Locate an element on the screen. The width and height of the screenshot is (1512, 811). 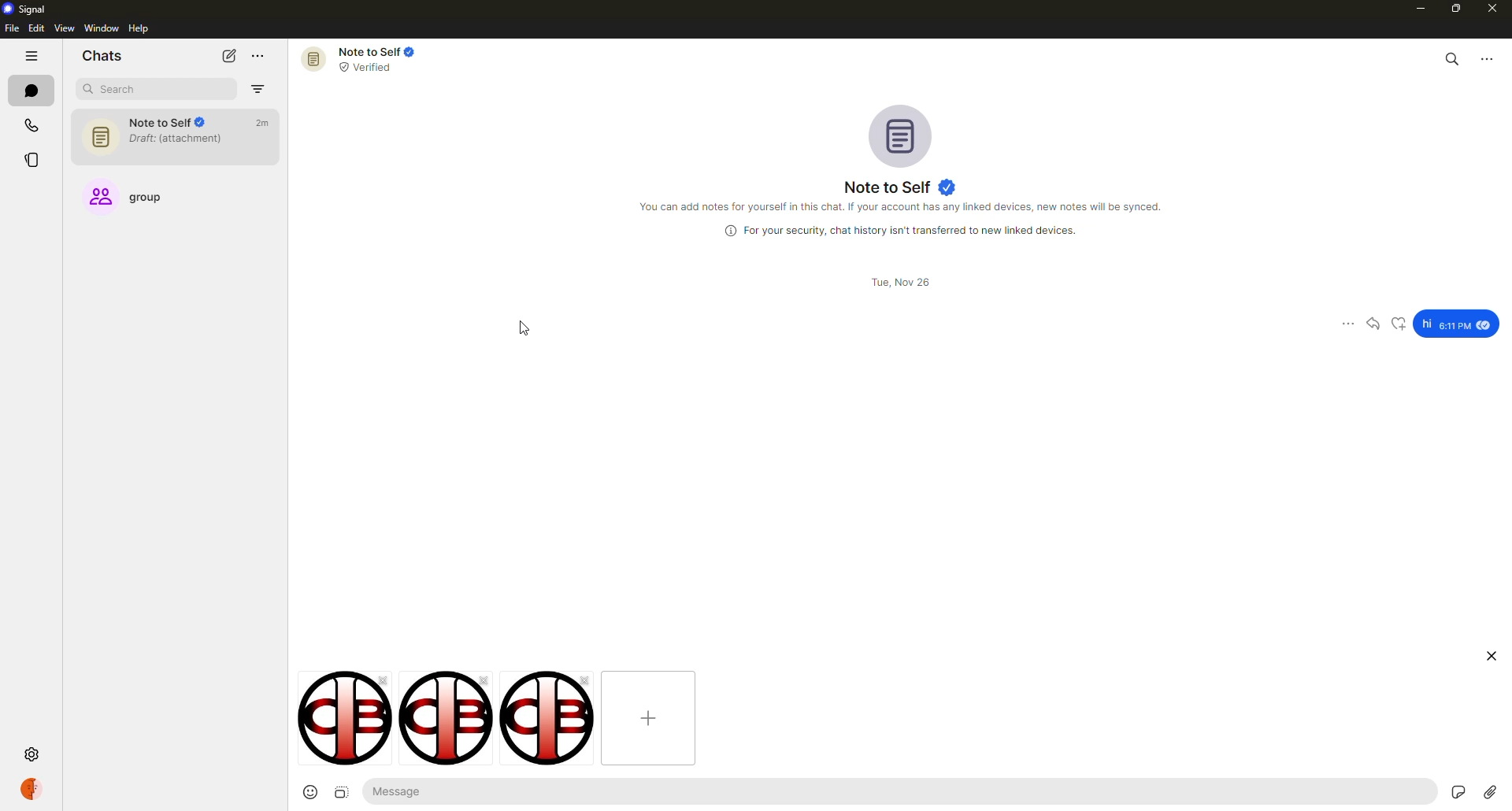
more is located at coordinates (1489, 58).